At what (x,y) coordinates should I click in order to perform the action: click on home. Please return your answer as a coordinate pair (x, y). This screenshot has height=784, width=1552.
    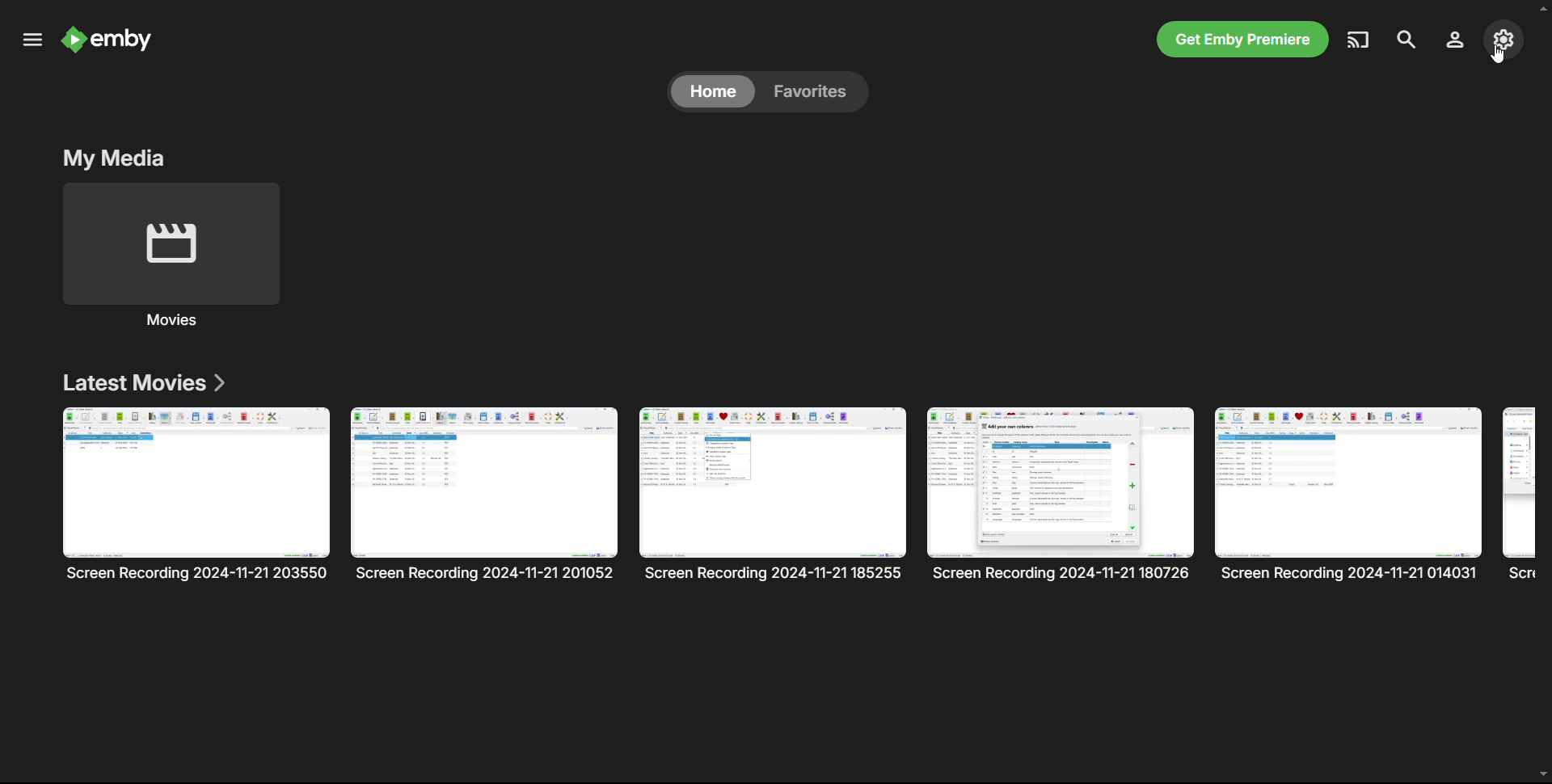
    Looking at the image, I should click on (712, 91).